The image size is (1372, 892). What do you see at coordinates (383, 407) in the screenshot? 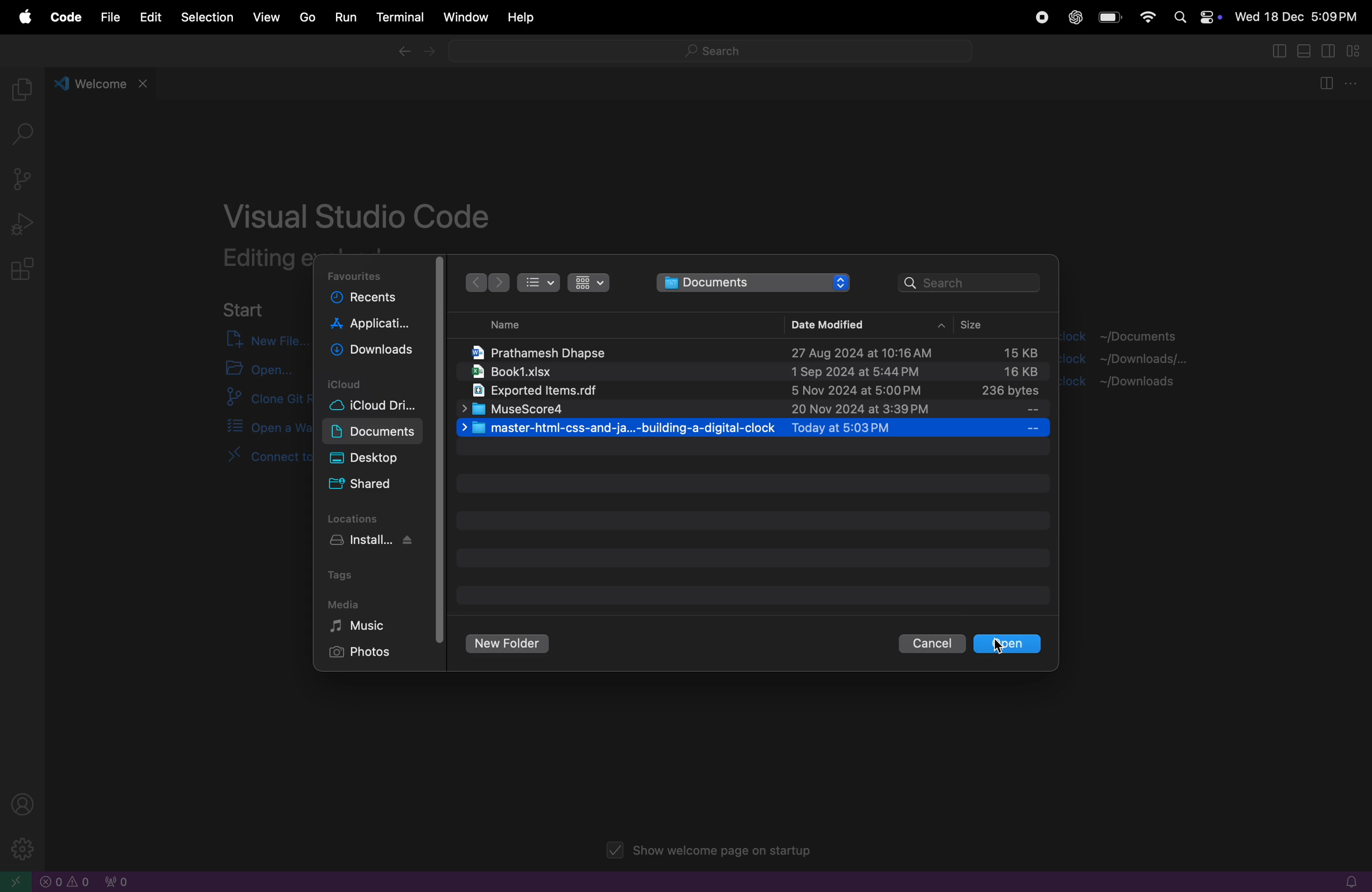
I see `i cloud drive` at bounding box center [383, 407].